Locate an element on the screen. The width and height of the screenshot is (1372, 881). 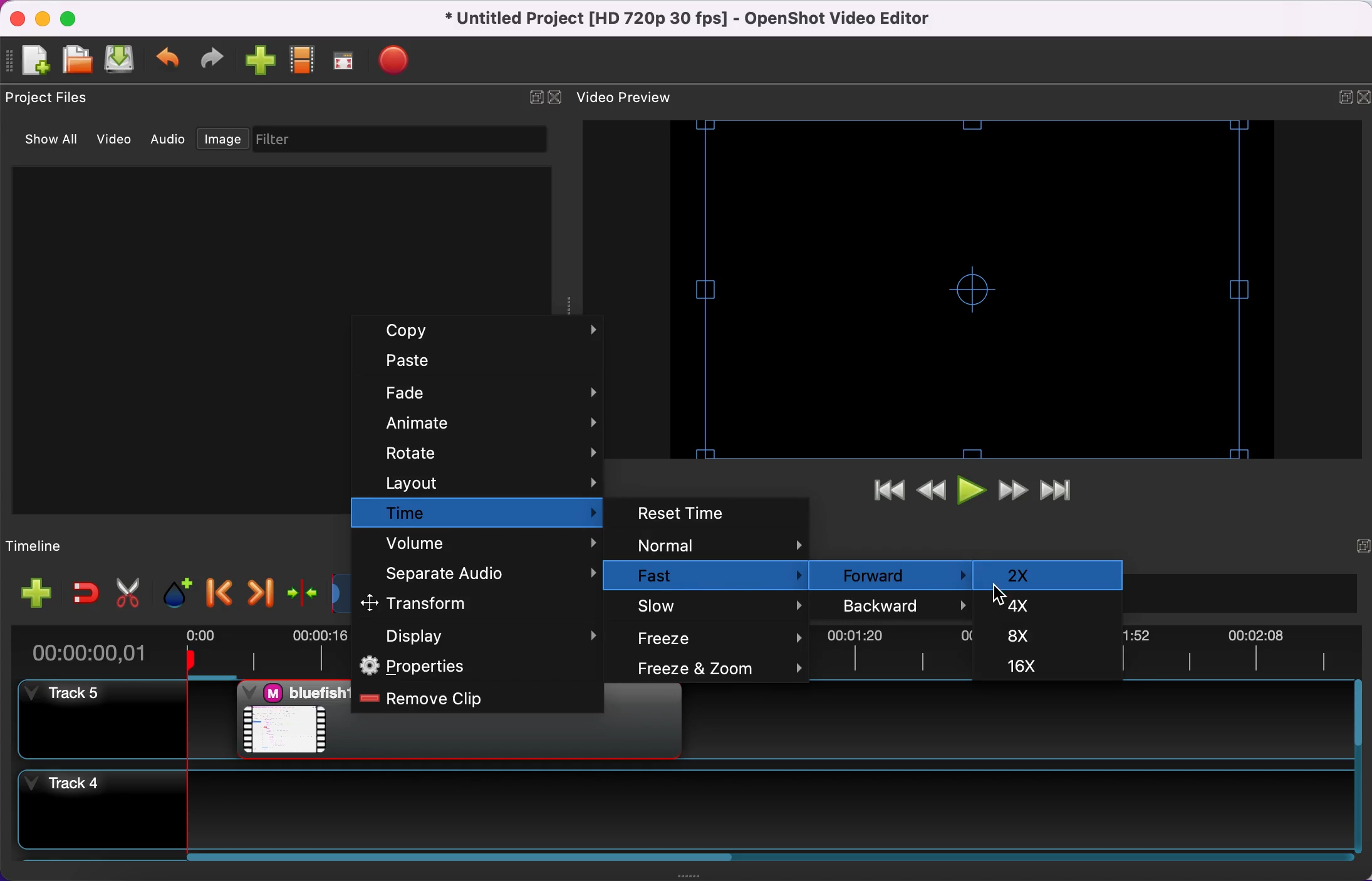
volume is located at coordinates (481, 545).